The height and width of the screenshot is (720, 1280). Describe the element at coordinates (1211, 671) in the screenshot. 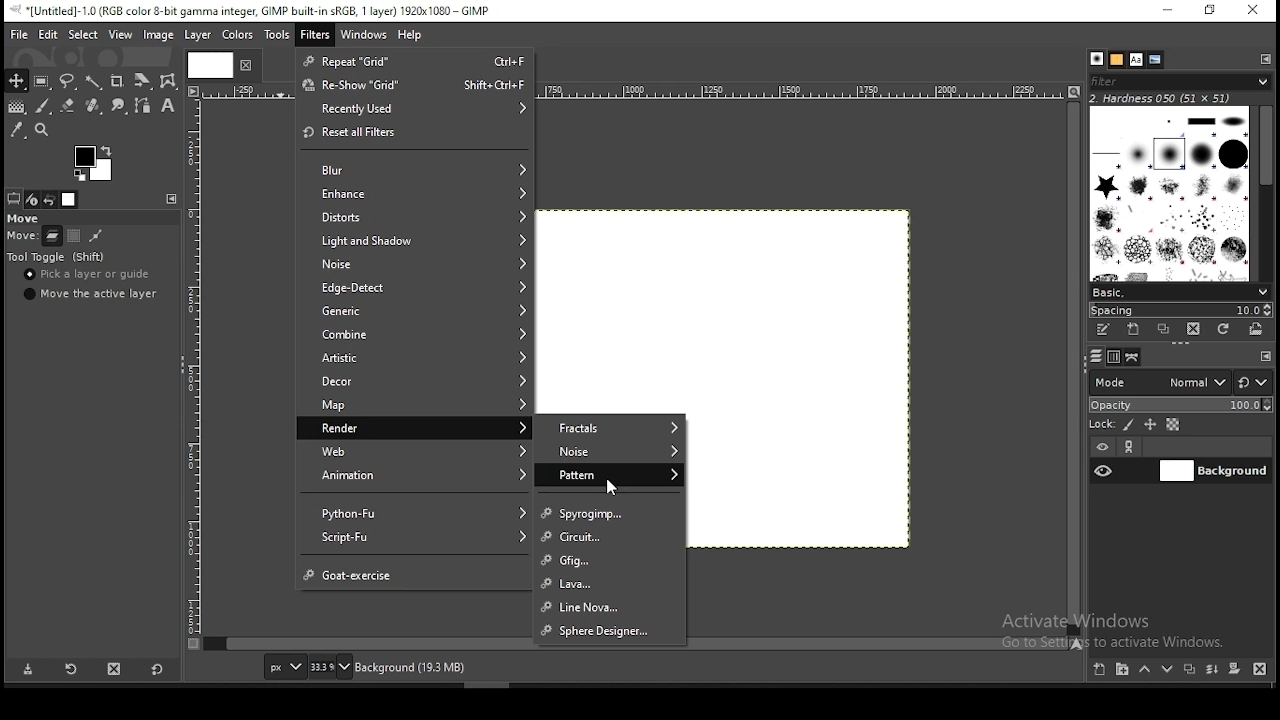

I see `merge layer` at that location.